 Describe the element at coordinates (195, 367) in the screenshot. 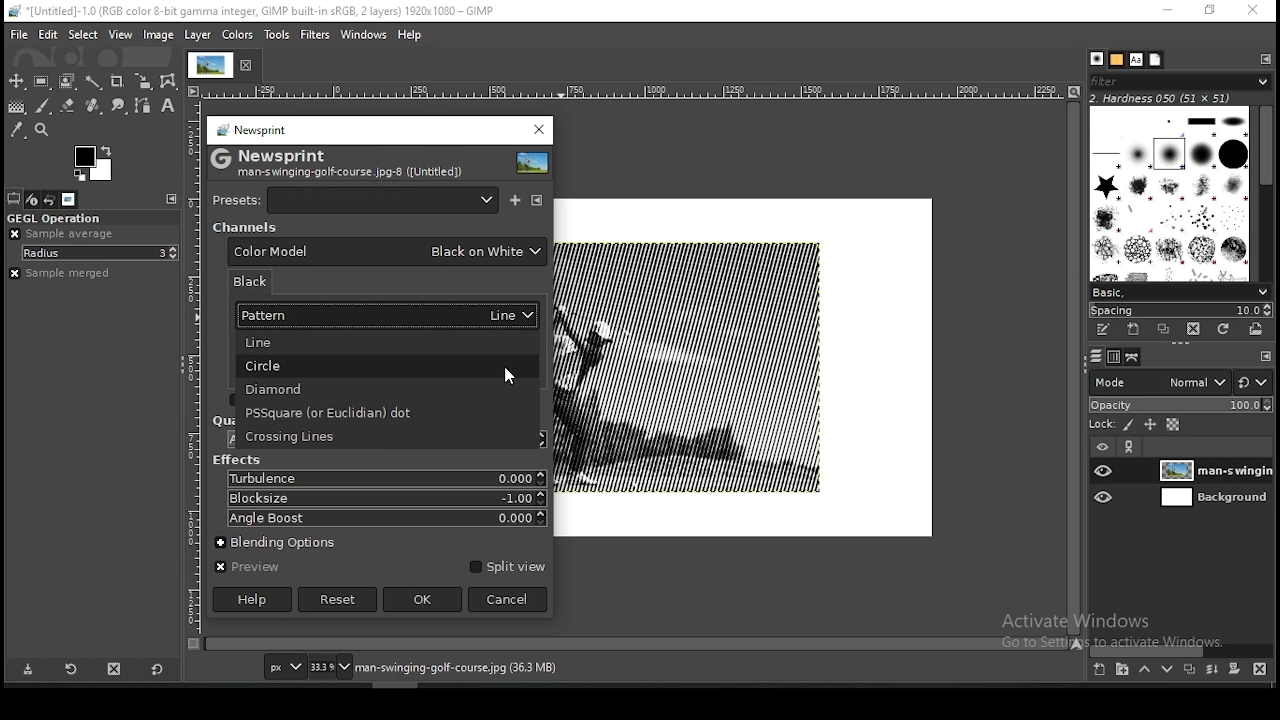

I see `scale (vertical)` at that location.